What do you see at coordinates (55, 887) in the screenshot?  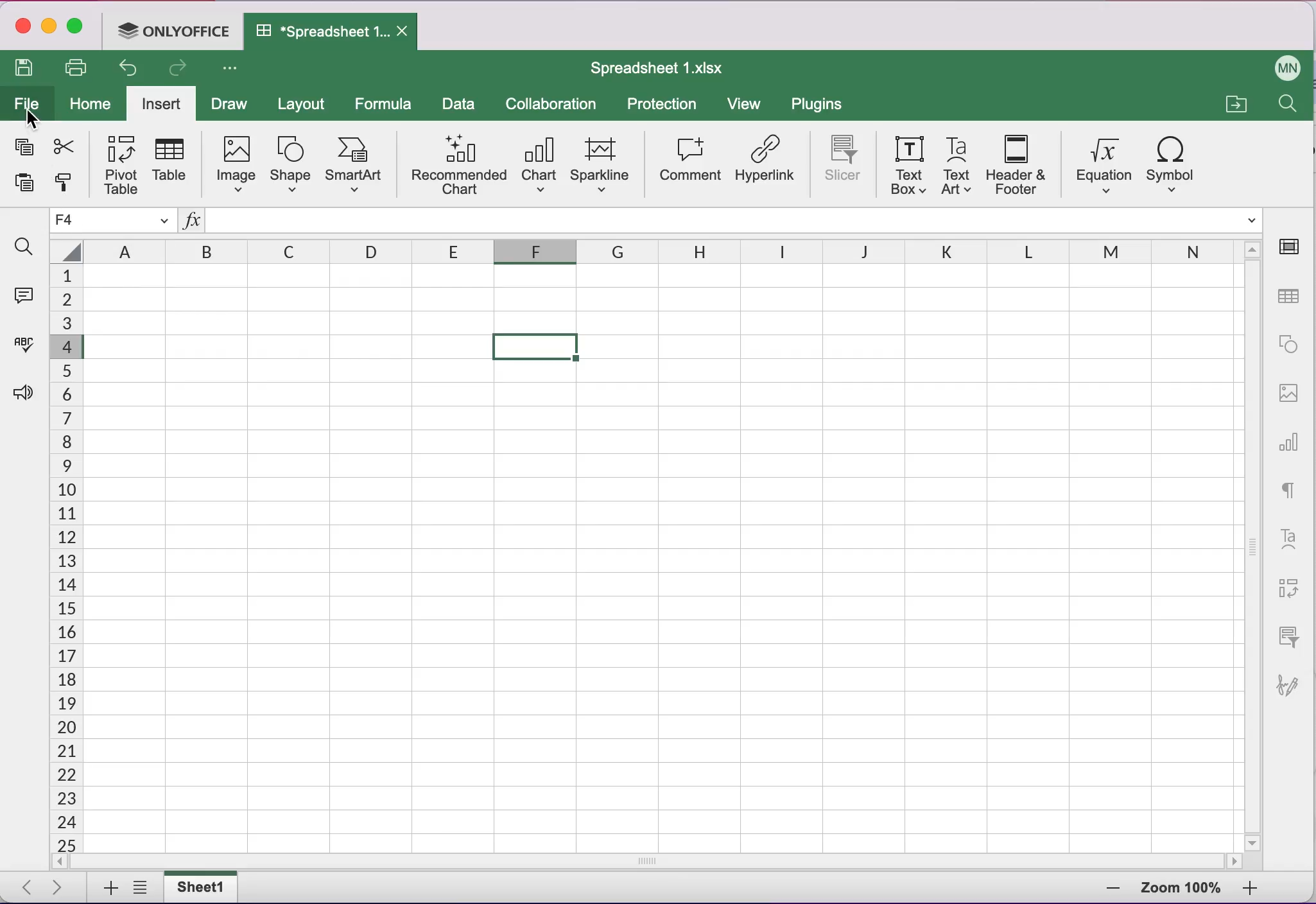 I see `next sheet` at bounding box center [55, 887].